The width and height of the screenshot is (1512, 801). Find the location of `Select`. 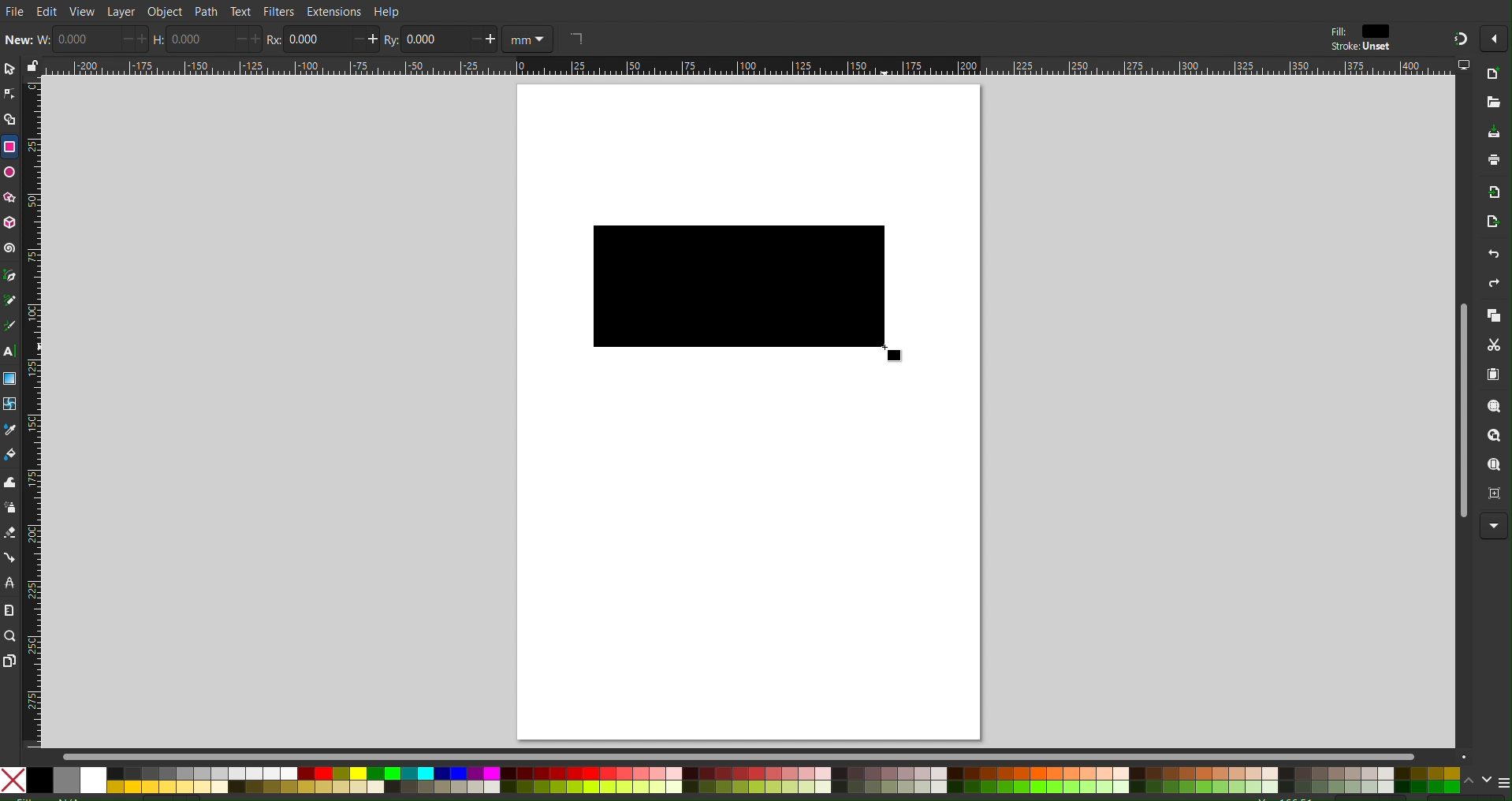

Select is located at coordinates (9, 68).